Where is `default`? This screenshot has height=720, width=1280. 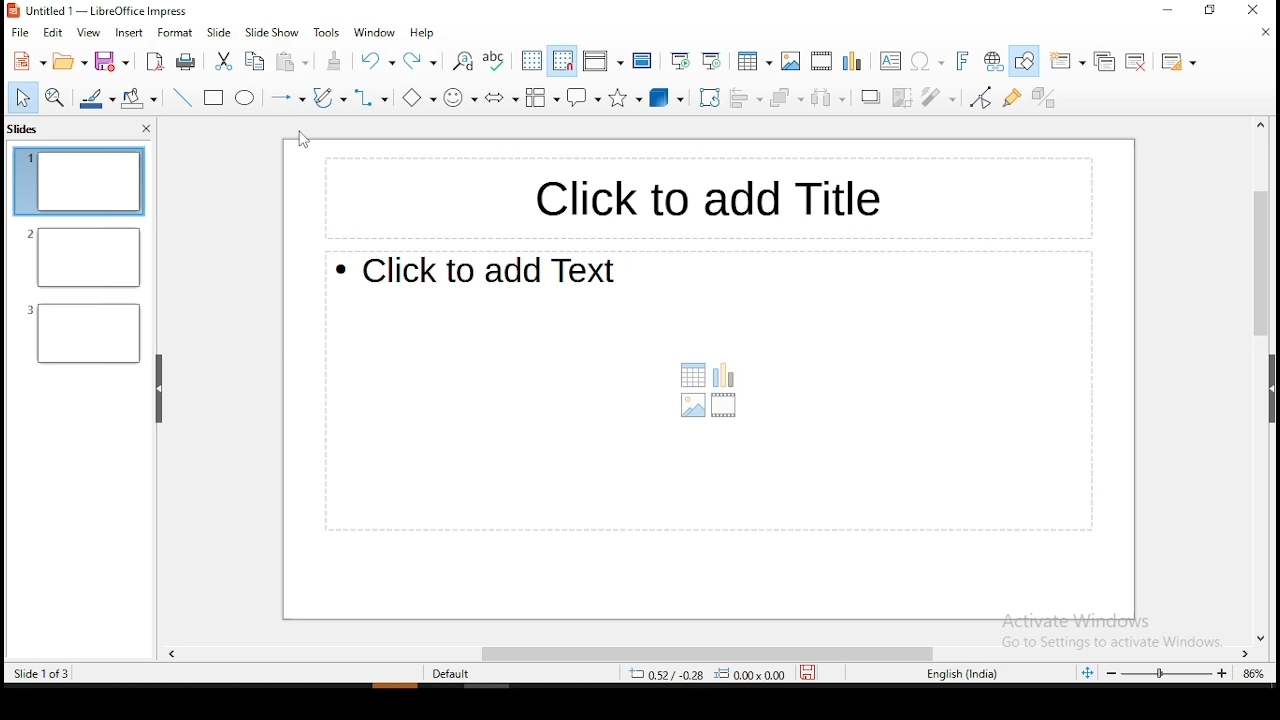
default is located at coordinates (456, 674).